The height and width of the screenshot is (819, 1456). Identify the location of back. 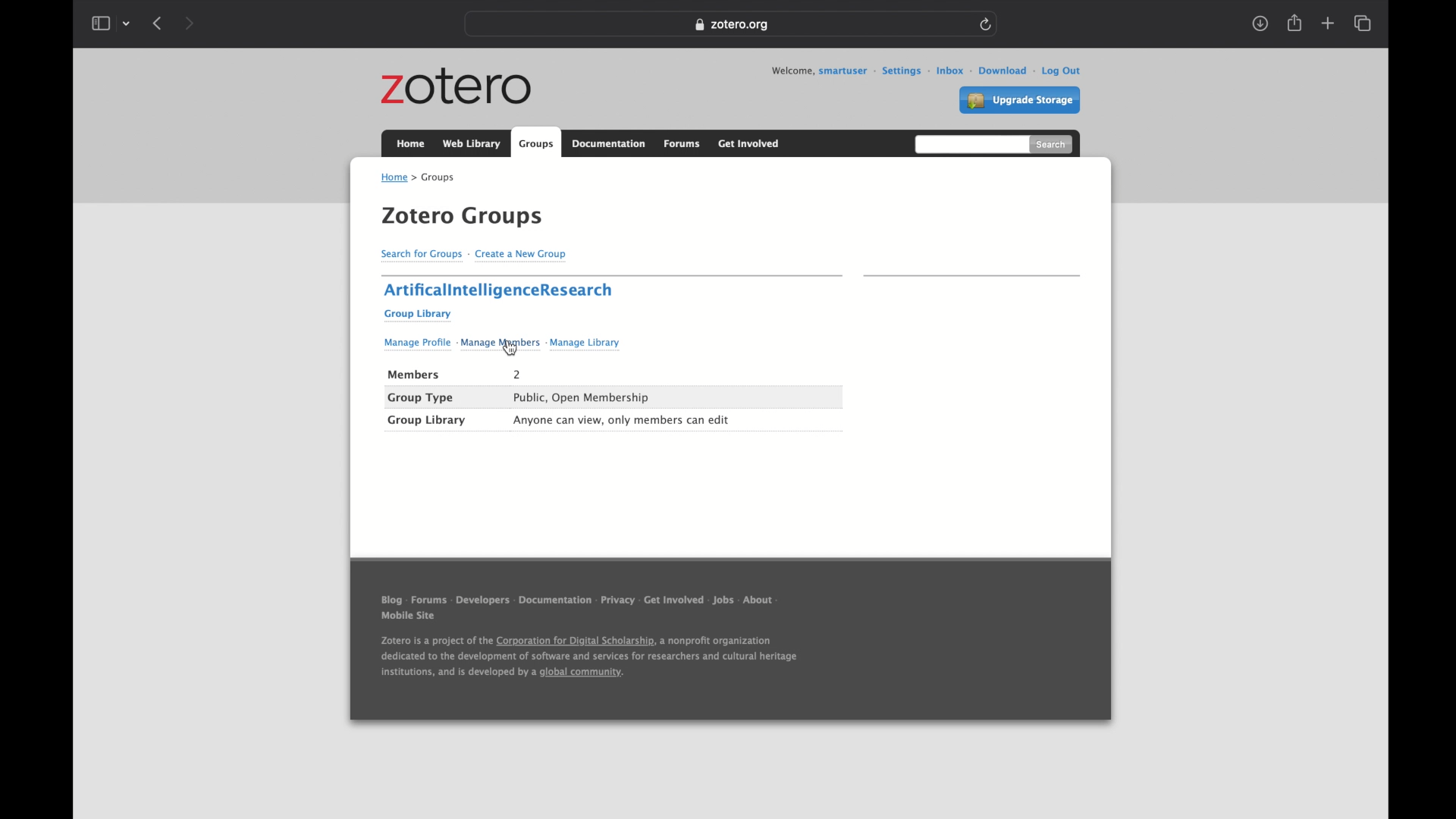
(157, 23).